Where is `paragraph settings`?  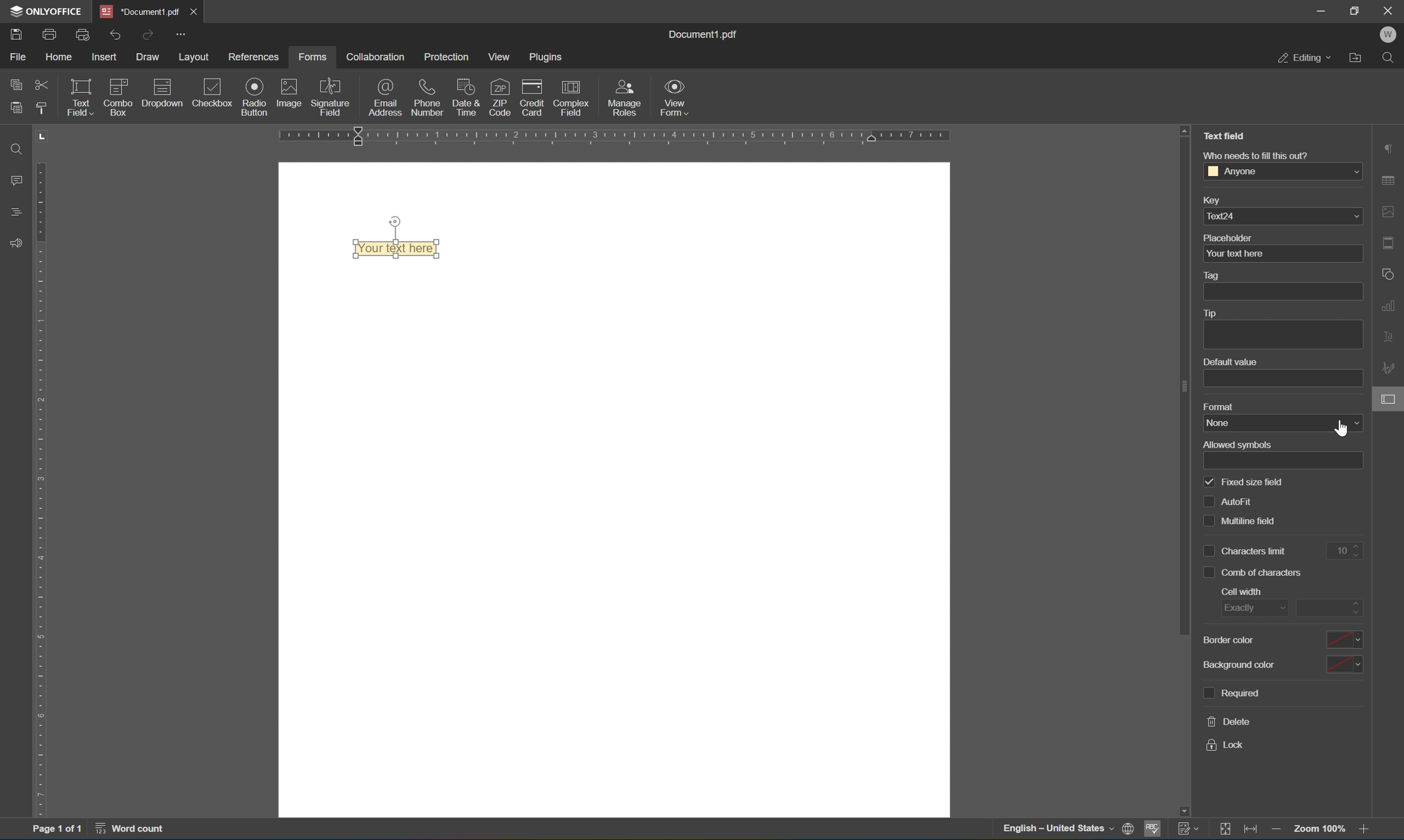
paragraph settings is located at coordinates (1389, 147).